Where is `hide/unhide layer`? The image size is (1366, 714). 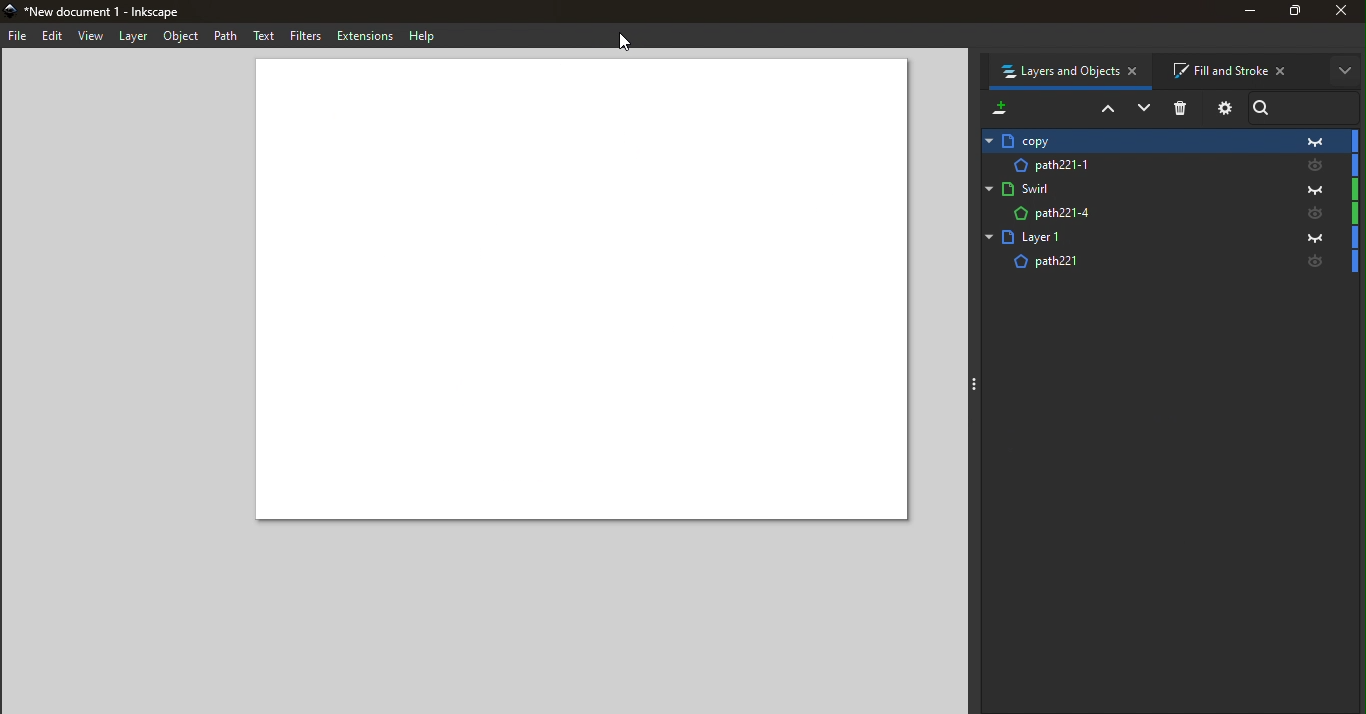 hide/unhide layer is located at coordinates (1318, 264).